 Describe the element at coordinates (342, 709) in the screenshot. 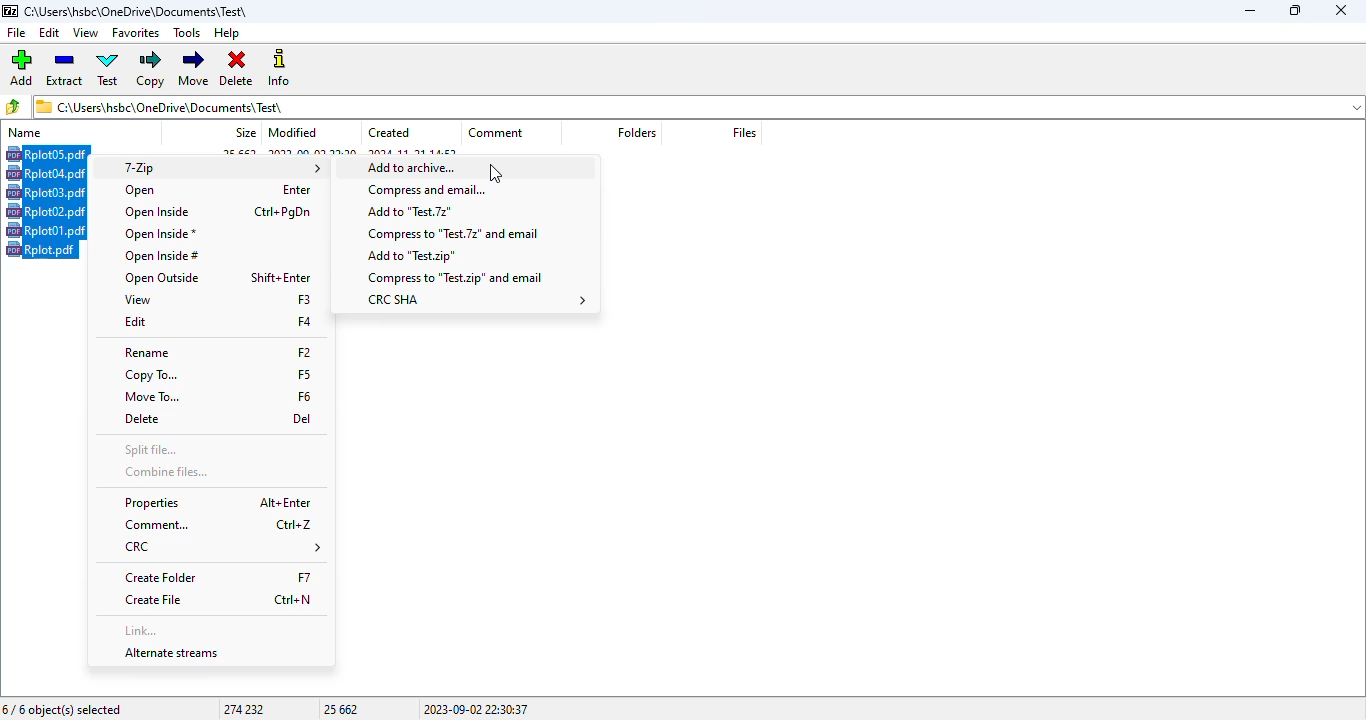

I see `25 662` at that location.